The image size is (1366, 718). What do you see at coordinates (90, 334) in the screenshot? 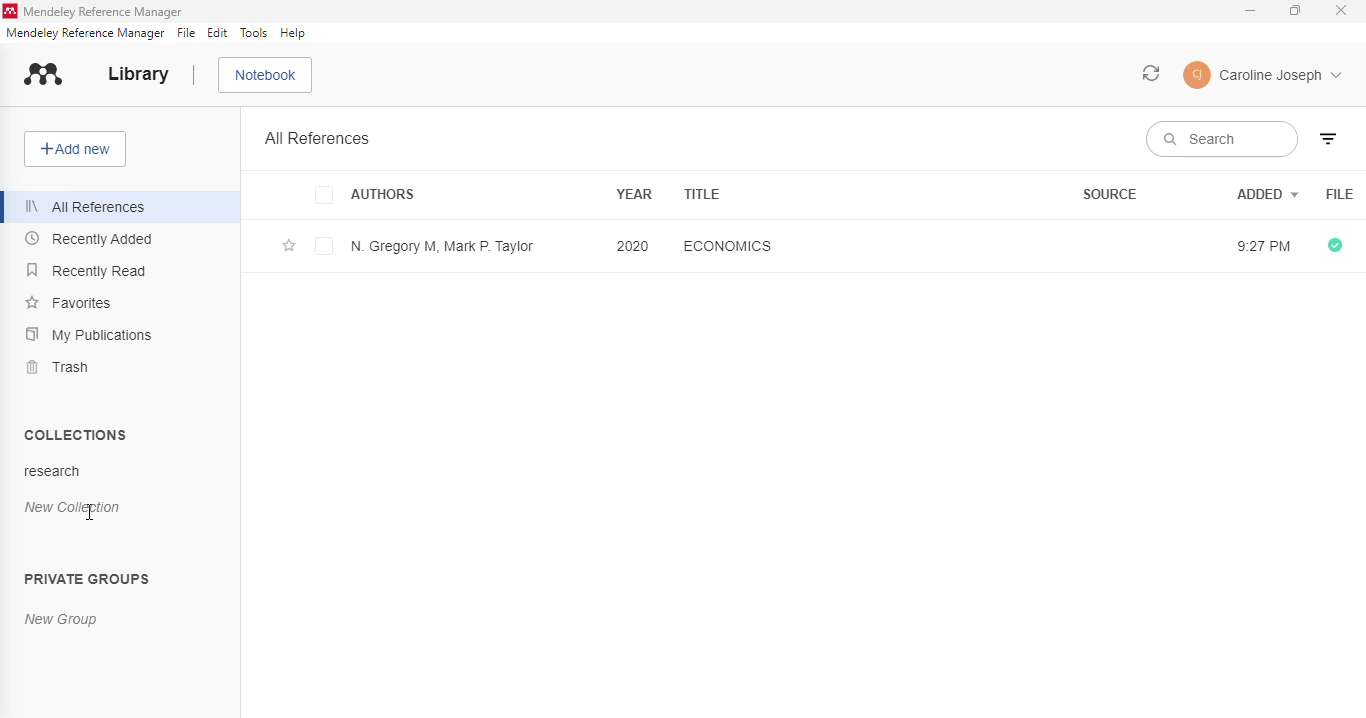
I see `my publications` at bounding box center [90, 334].